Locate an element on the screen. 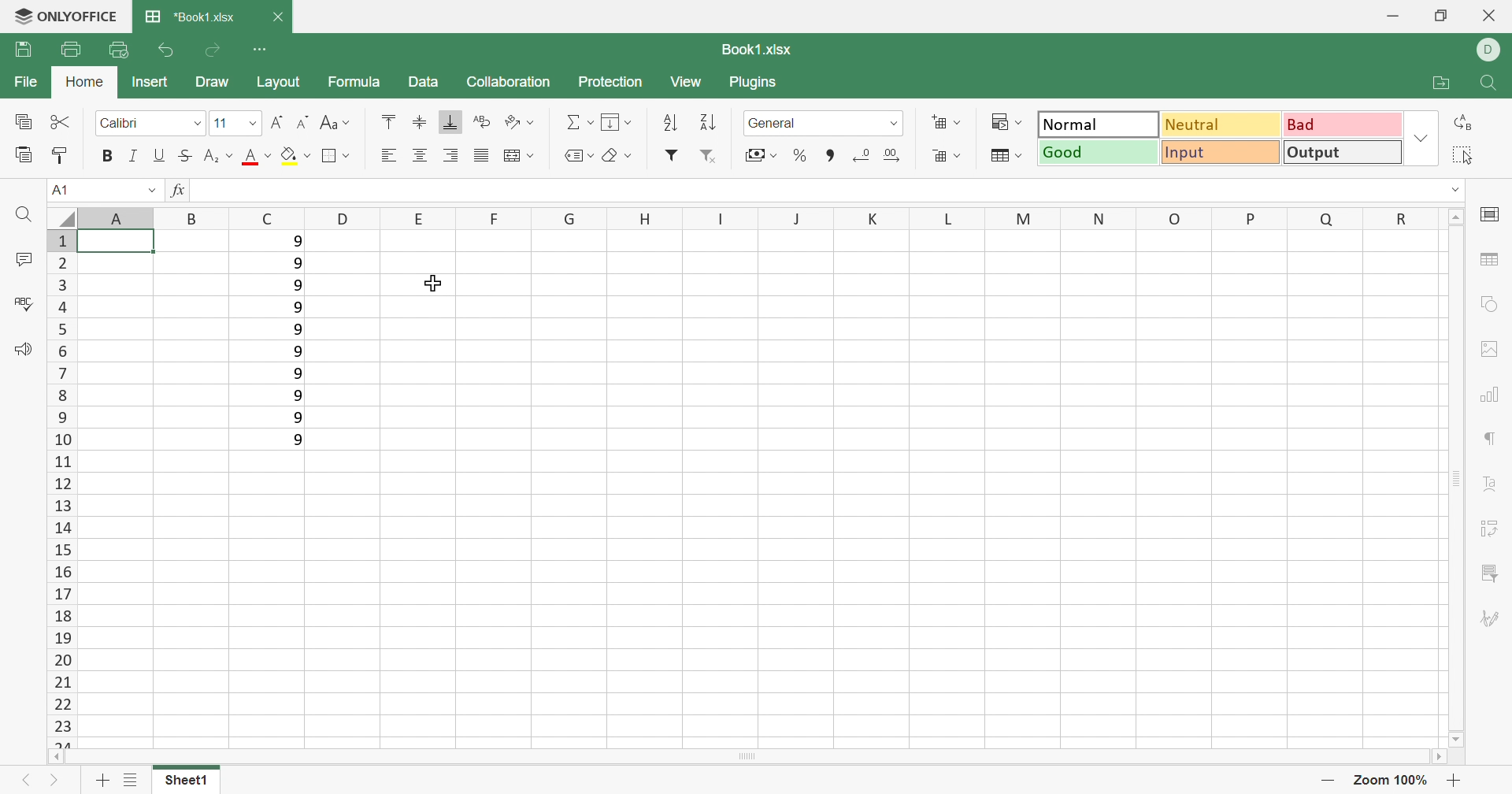  Drop Down is located at coordinates (1418, 139).